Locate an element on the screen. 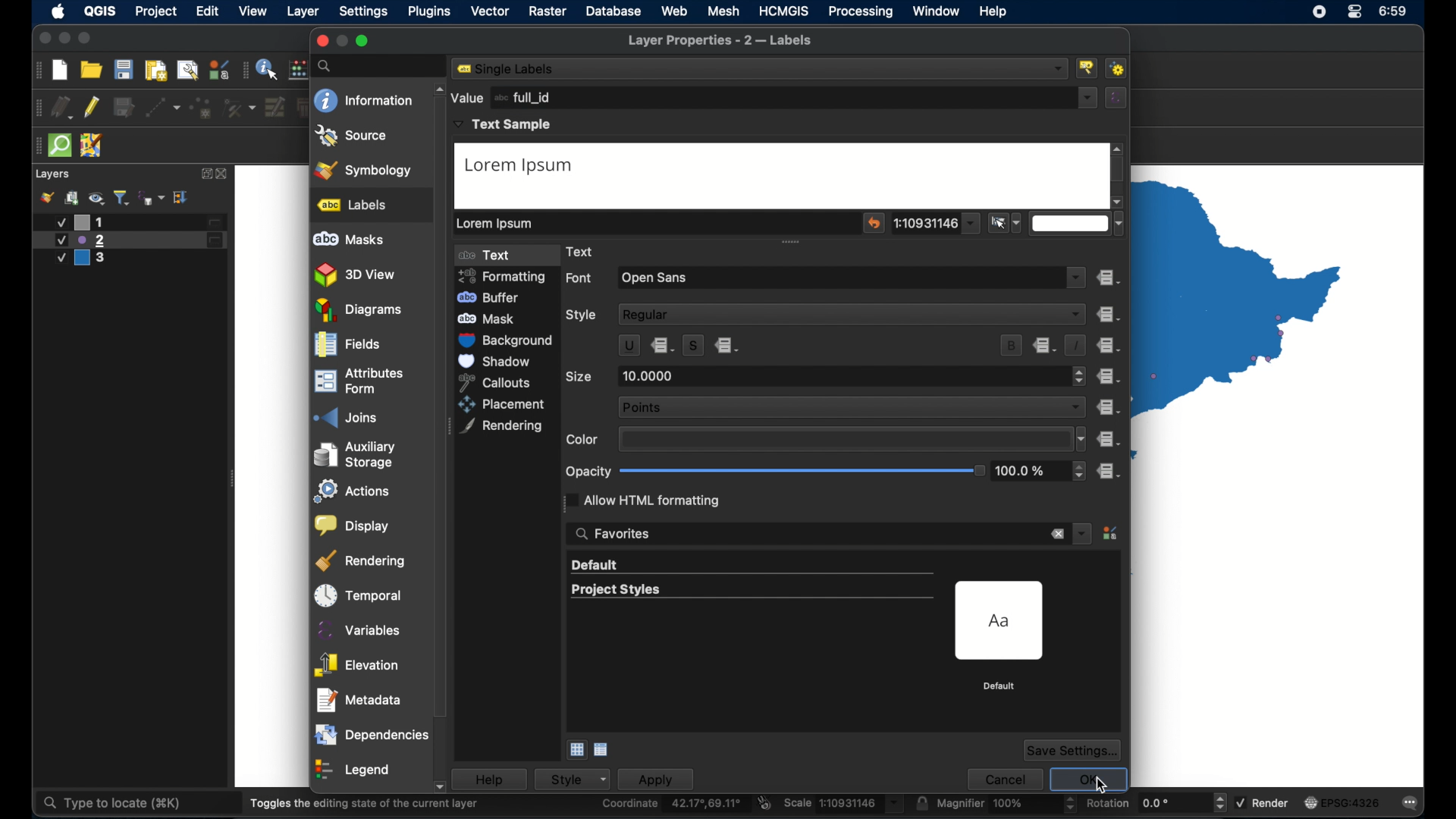 The height and width of the screenshot is (819, 1456). apply is located at coordinates (664, 779).